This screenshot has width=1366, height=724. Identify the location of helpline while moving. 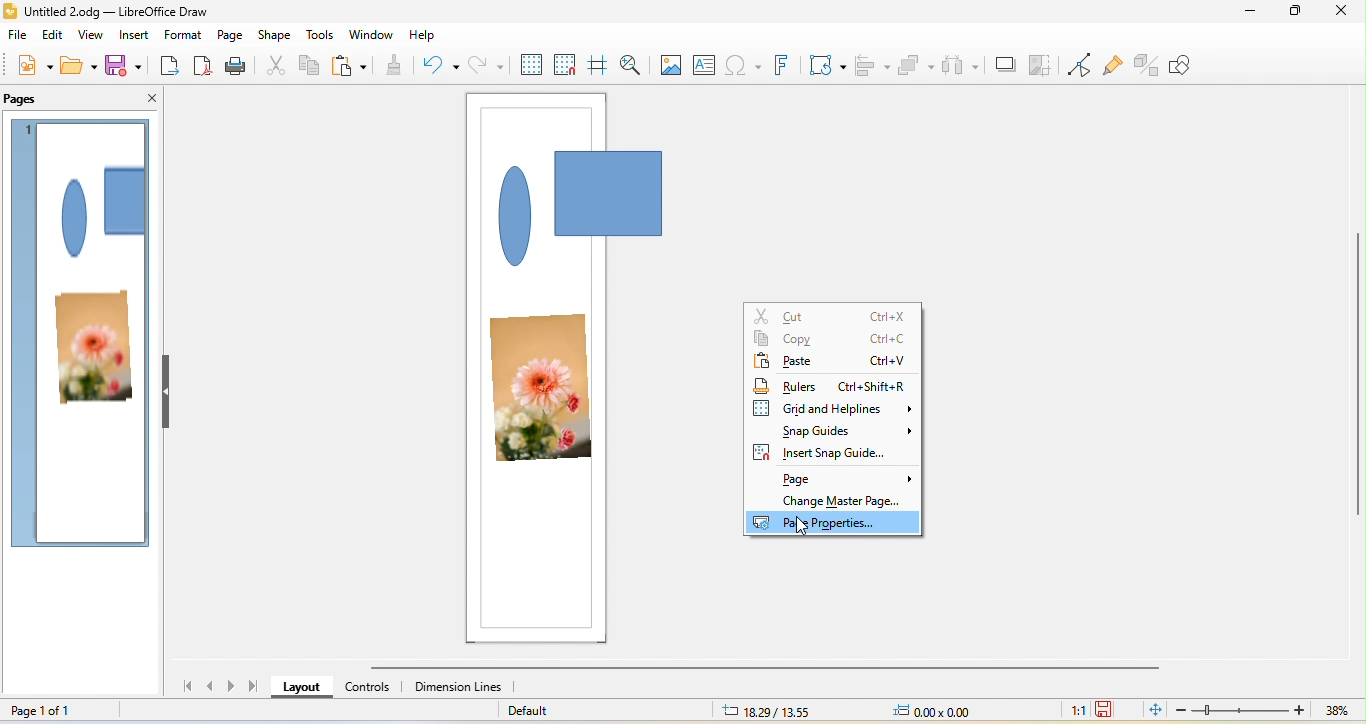
(600, 67).